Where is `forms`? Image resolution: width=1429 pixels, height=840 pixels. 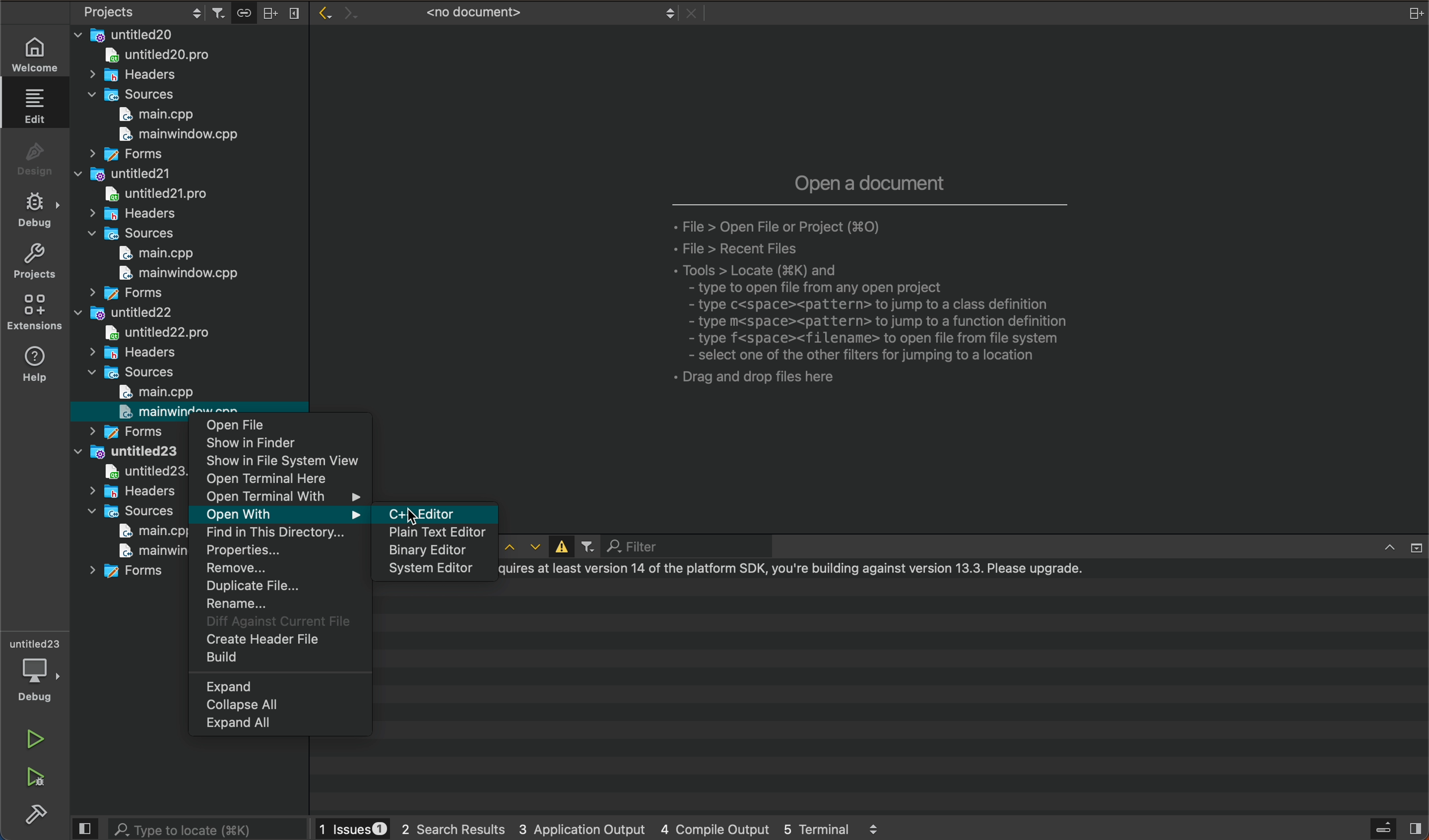 forms is located at coordinates (129, 430).